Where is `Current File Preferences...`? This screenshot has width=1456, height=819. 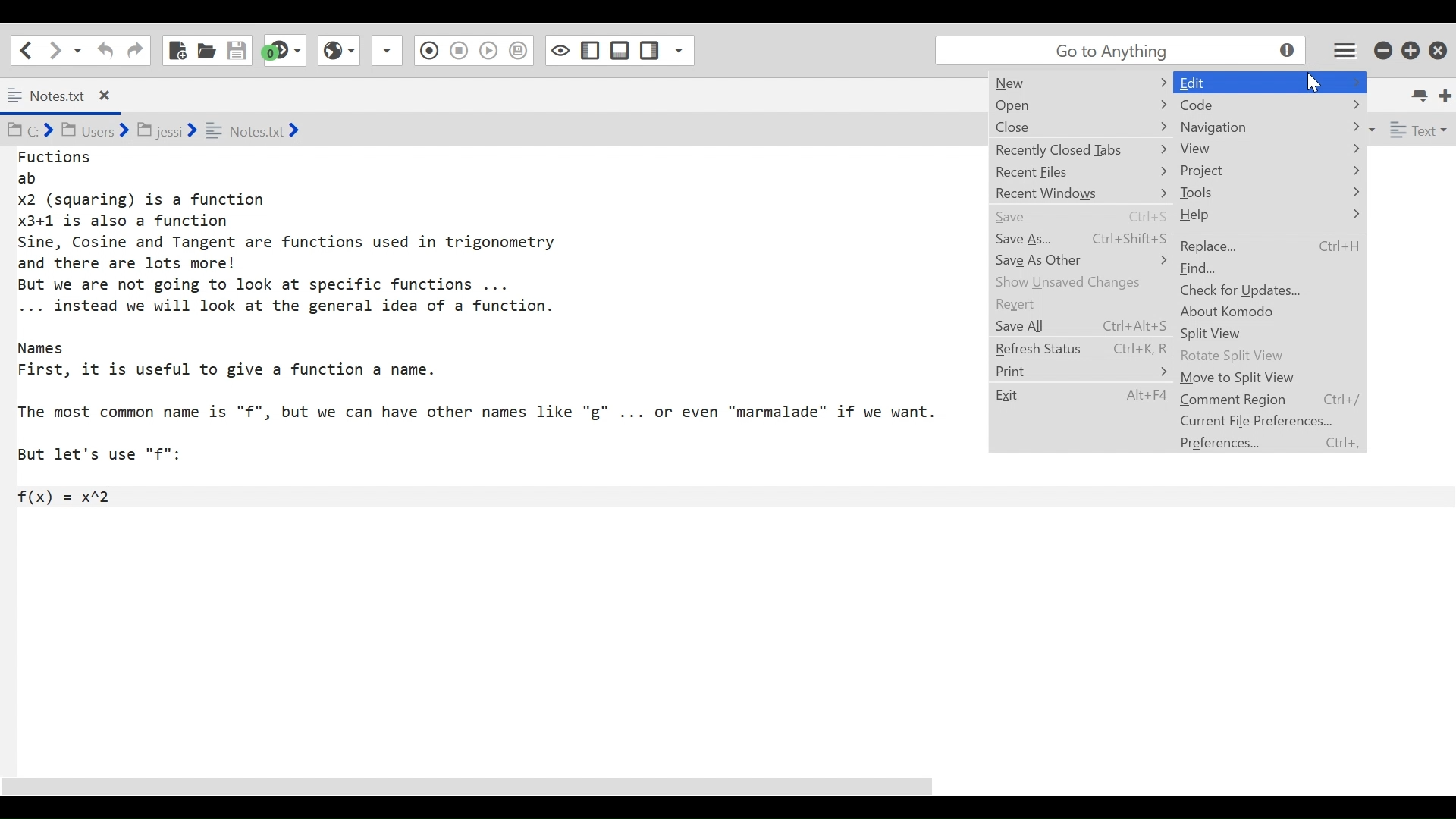
Current File Preferences... is located at coordinates (1269, 421).